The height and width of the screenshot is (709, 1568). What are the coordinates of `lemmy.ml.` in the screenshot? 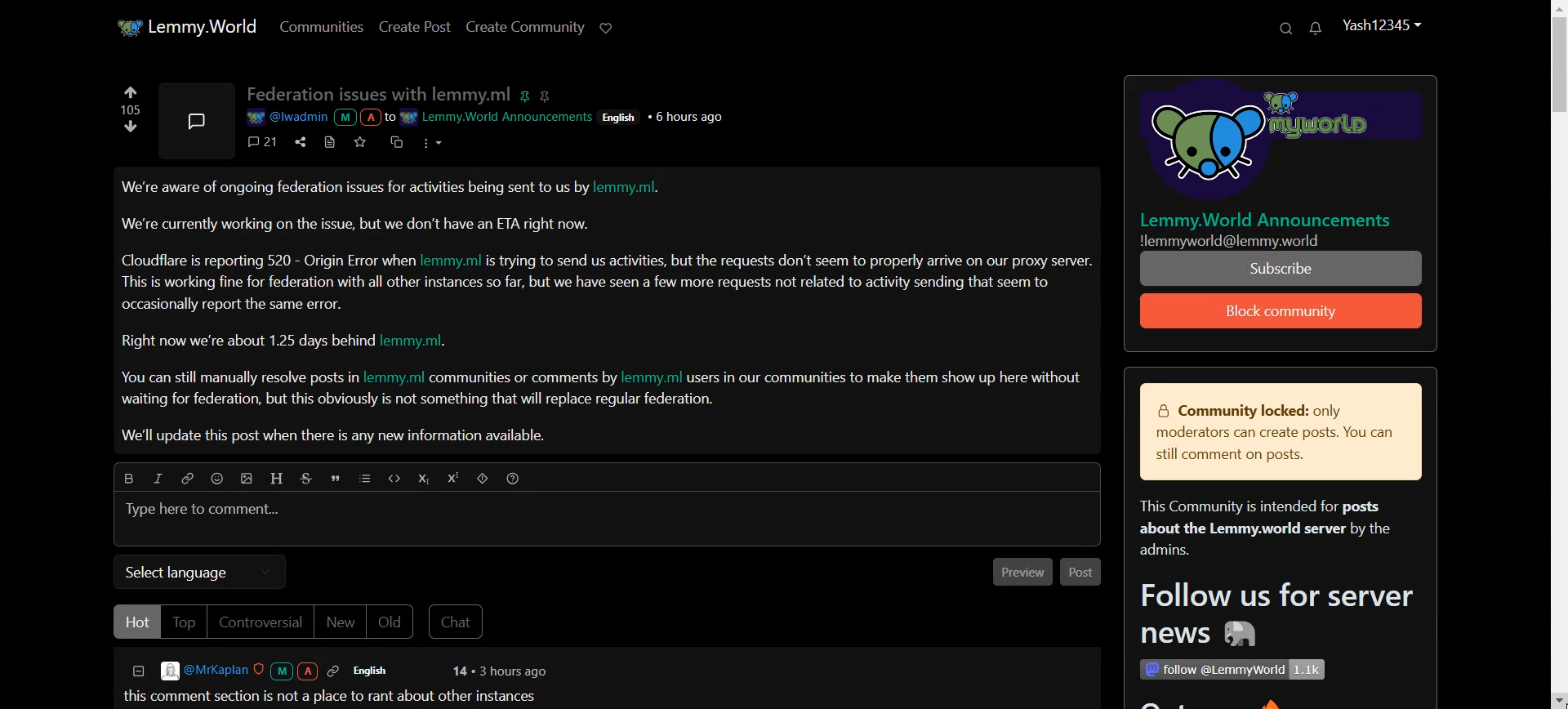 It's located at (423, 340).